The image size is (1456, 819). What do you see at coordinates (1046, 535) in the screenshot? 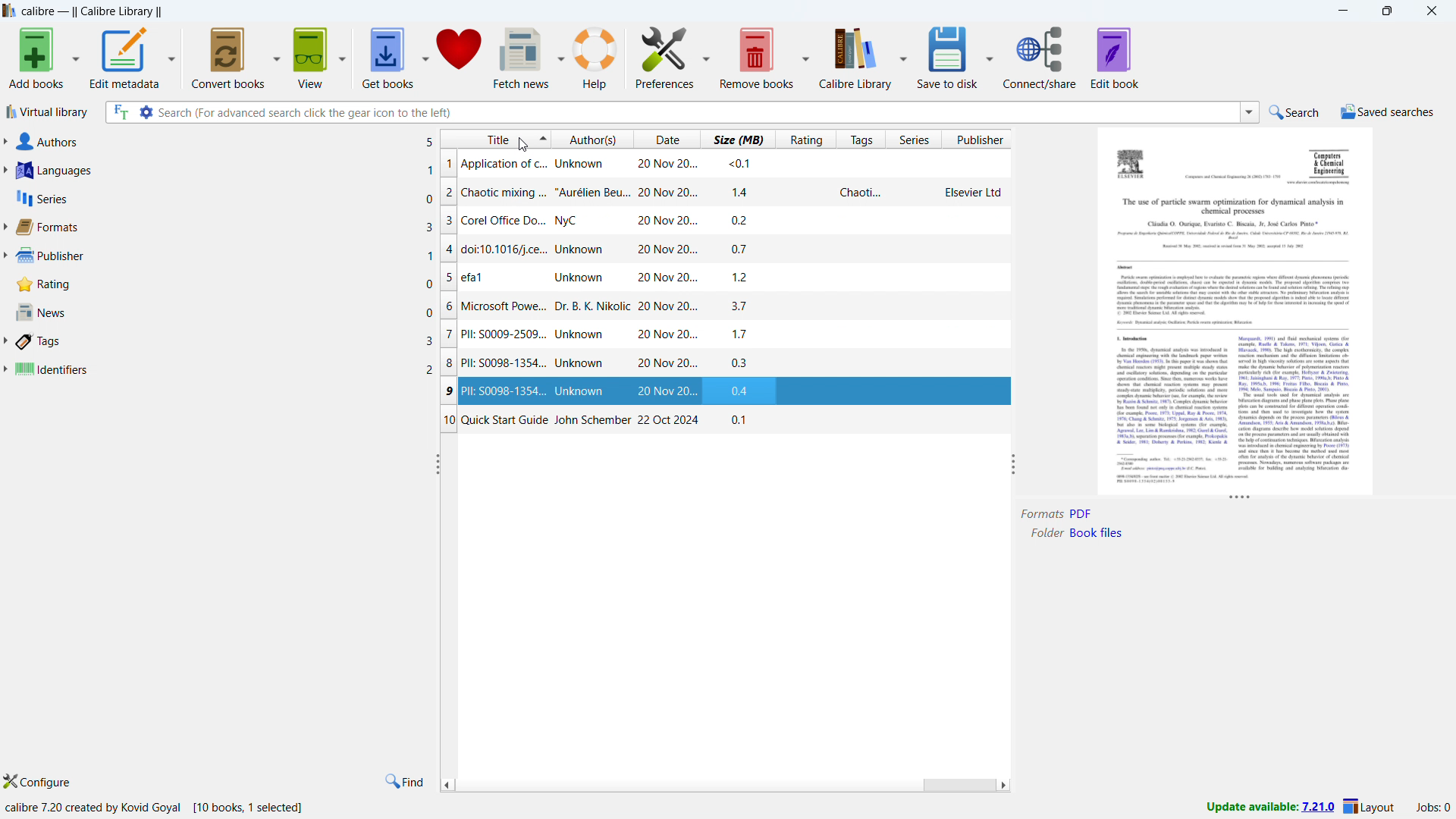
I see `Folder` at bounding box center [1046, 535].